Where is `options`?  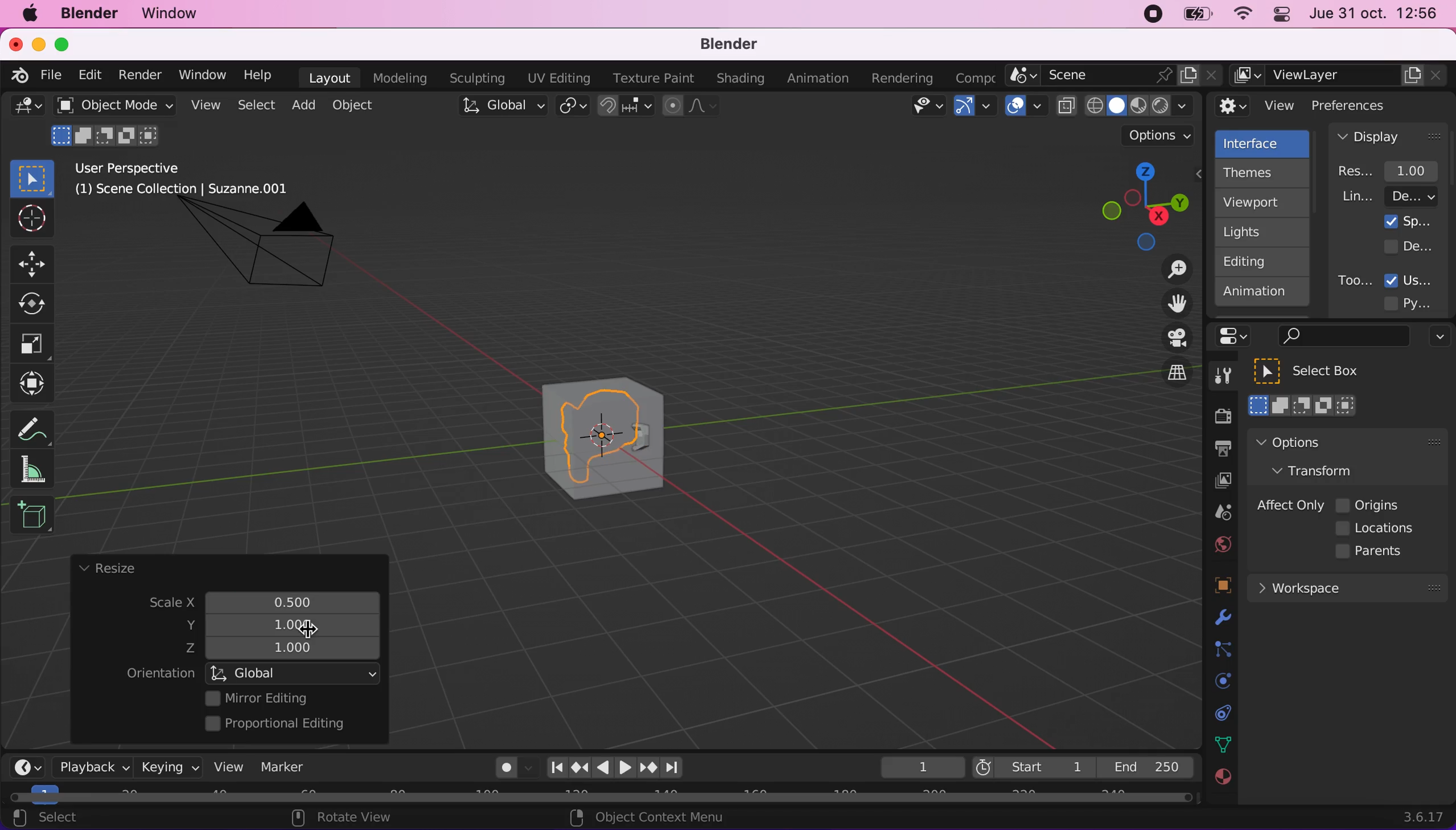 options is located at coordinates (1320, 442).